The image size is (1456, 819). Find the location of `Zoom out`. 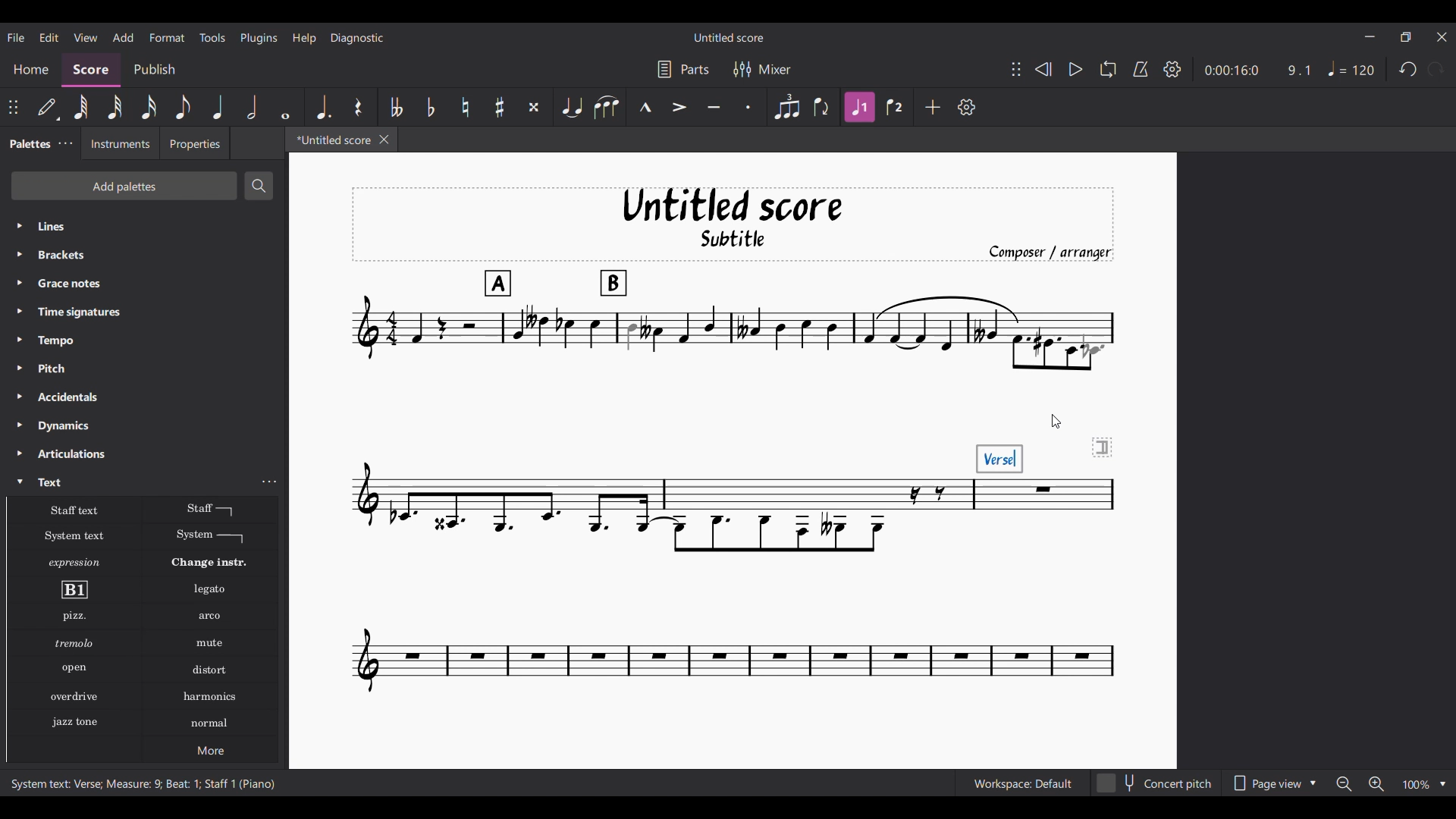

Zoom out is located at coordinates (1345, 783).